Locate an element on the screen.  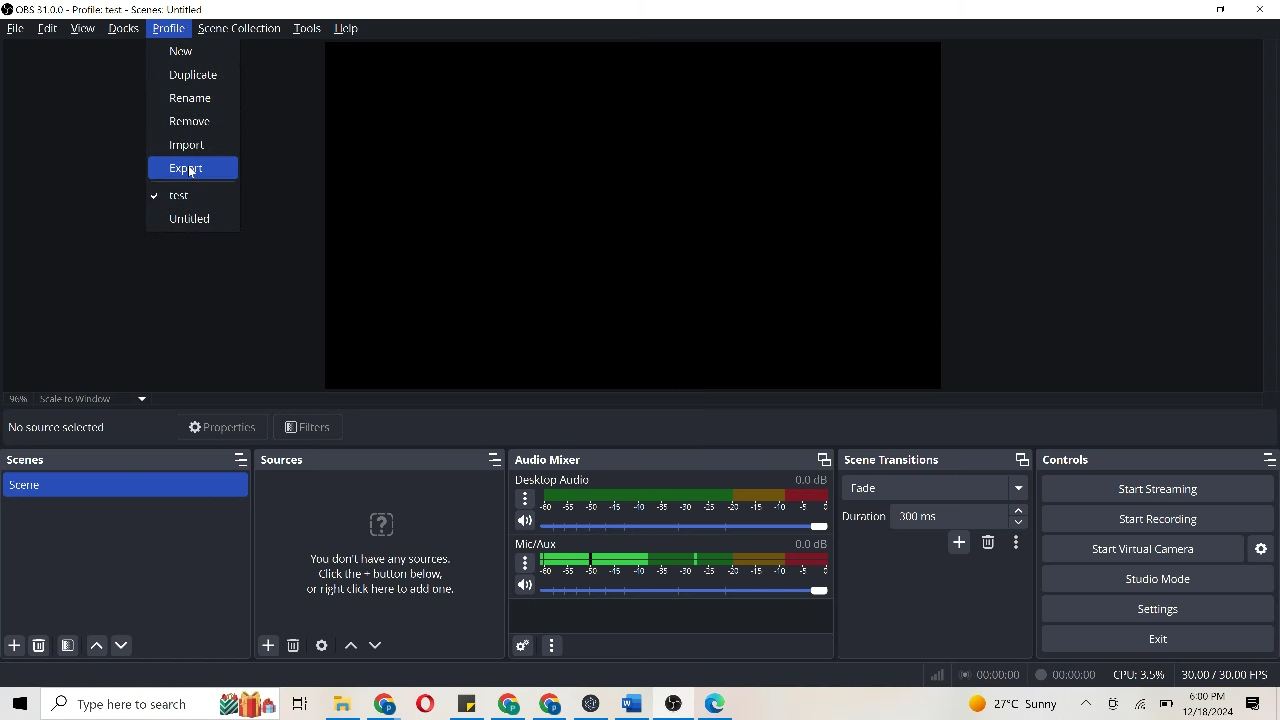
word is located at coordinates (641, 701).